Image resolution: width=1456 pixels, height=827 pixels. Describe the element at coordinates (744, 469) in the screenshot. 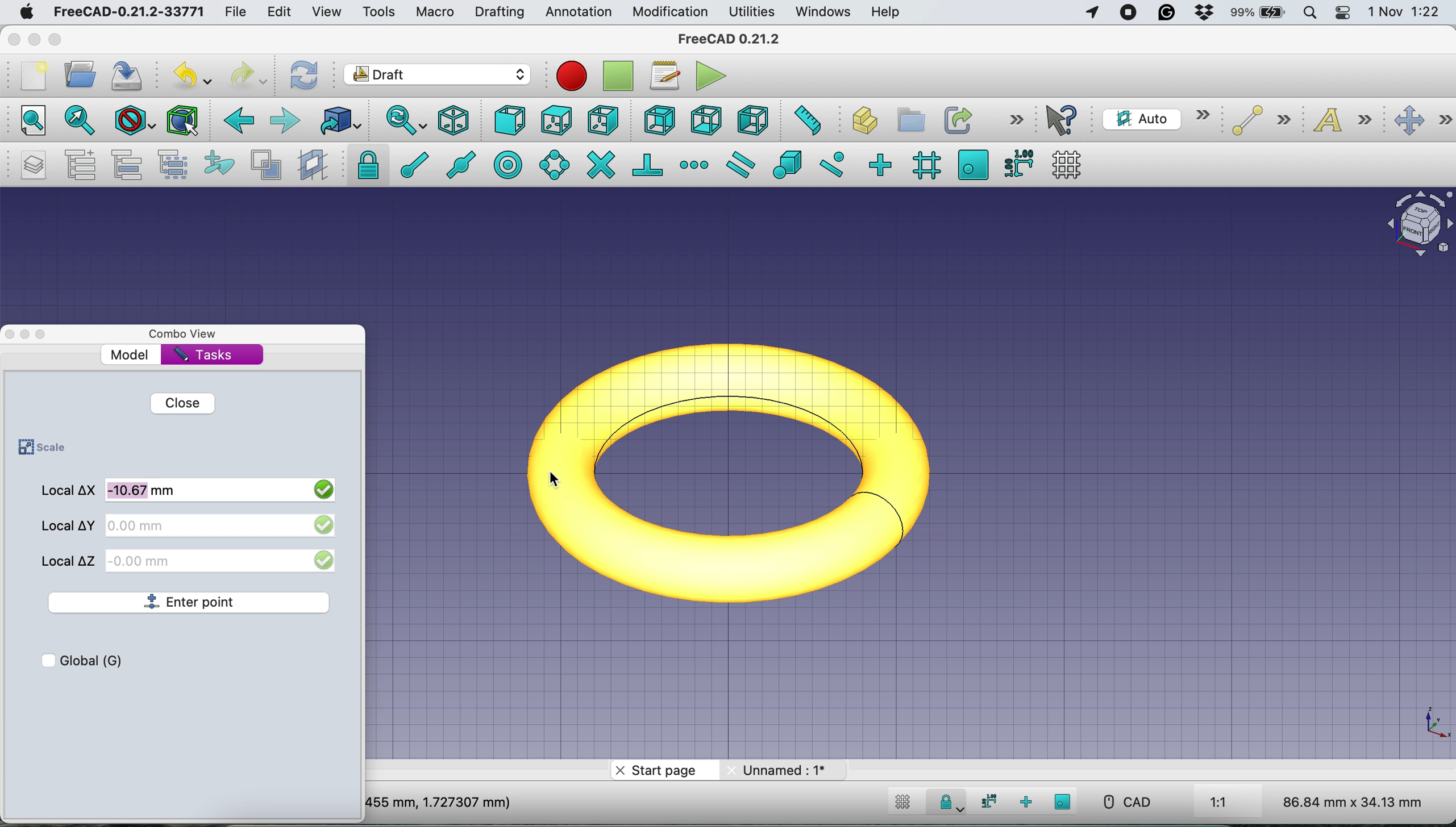

I see `torus` at that location.